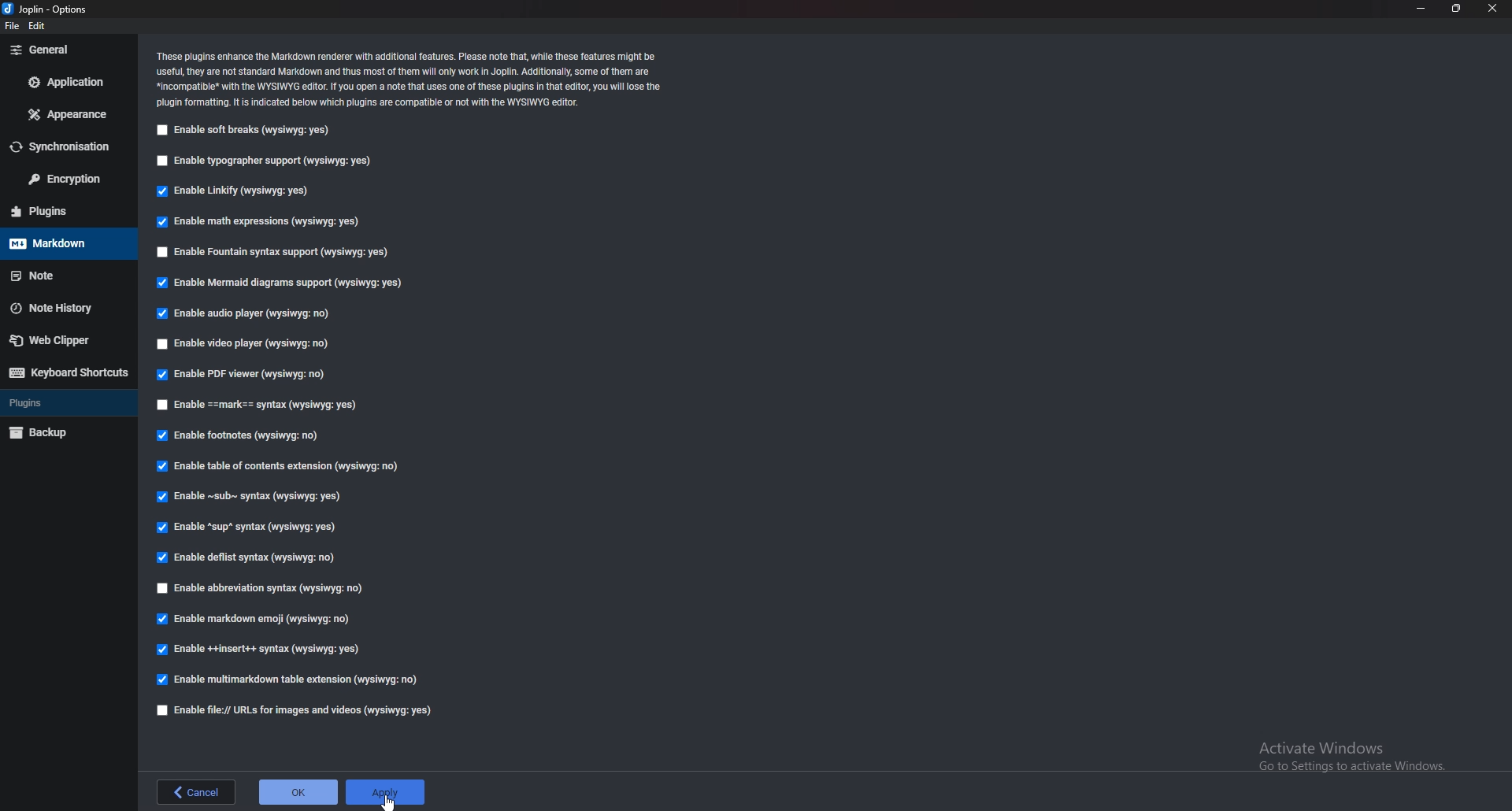 This screenshot has height=811, width=1512. I want to click on note history, so click(66, 306).